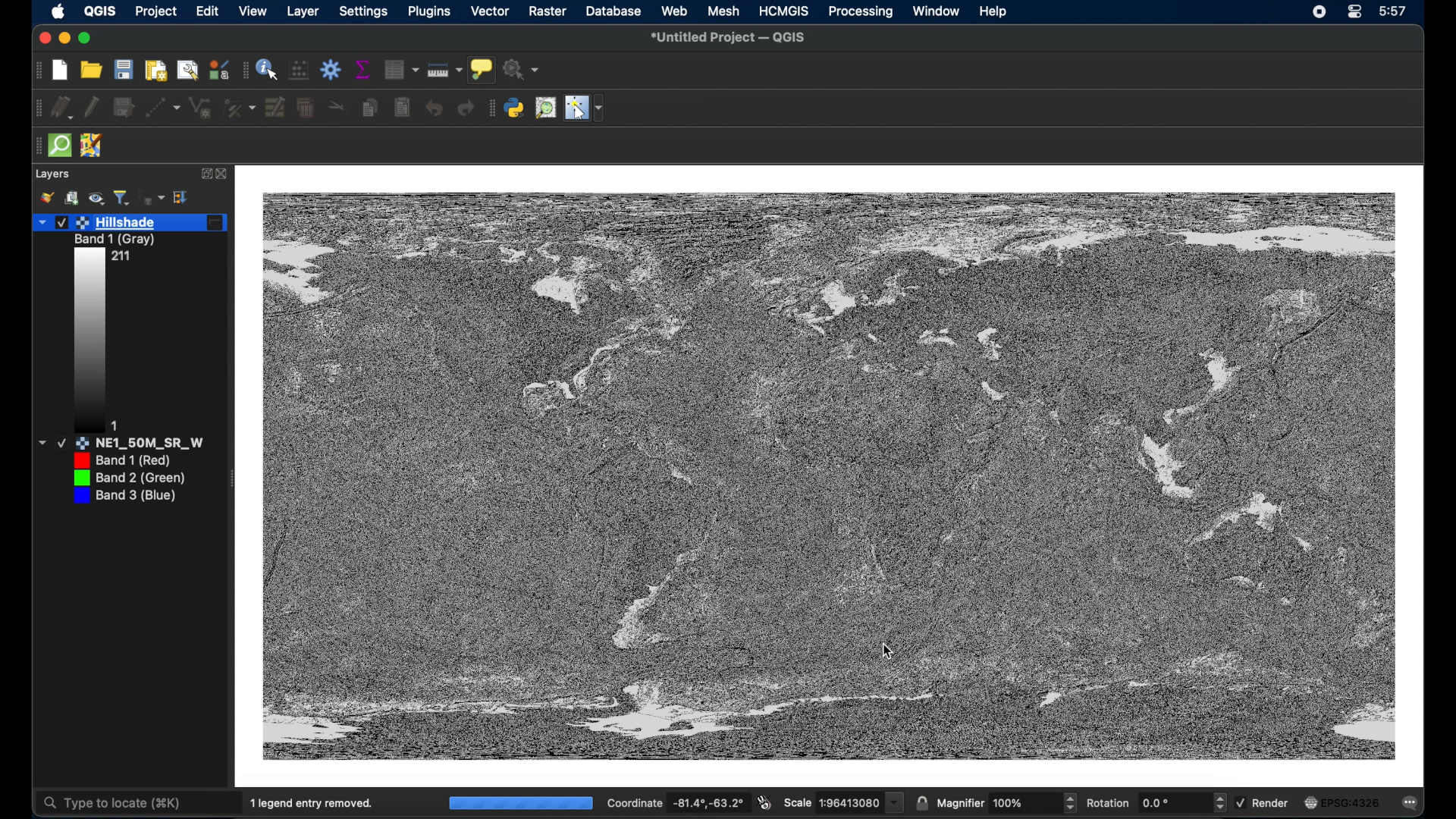  I want to click on filter legend  by expression, so click(152, 198).